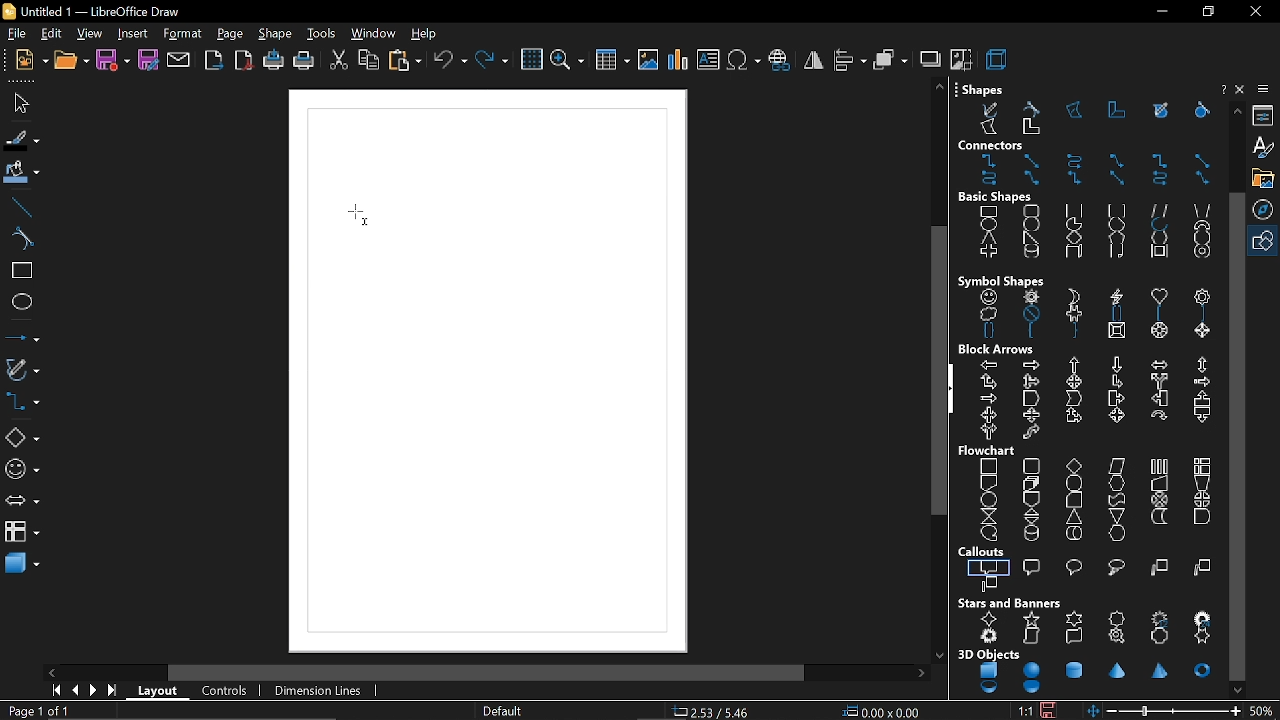  What do you see at coordinates (1204, 314) in the screenshot?
I see `right bracket` at bounding box center [1204, 314].